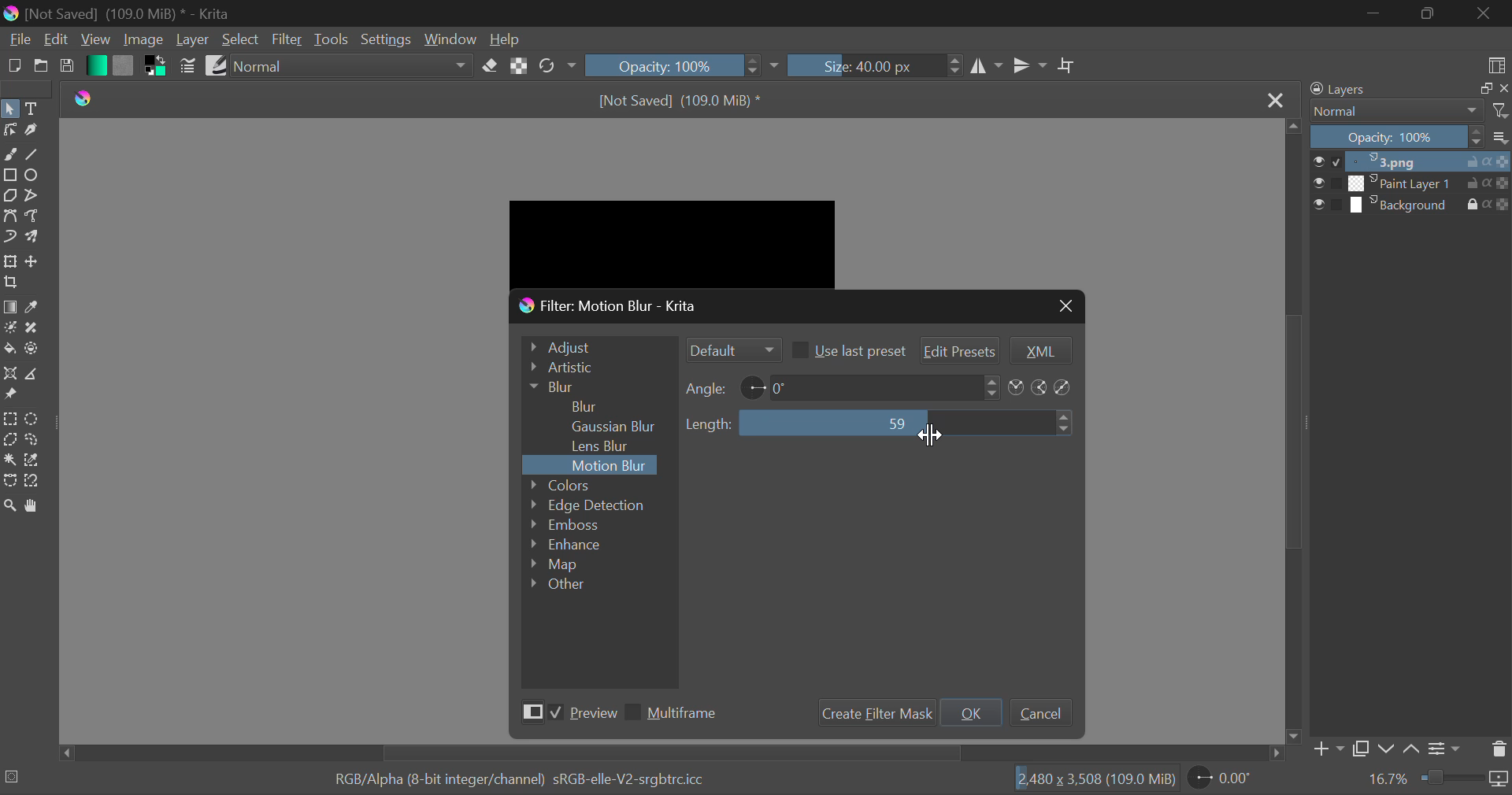 This screenshot has width=1512, height=795. Describe the element at coordinates (895, 422) in the screenshot. I see `59` at that location.